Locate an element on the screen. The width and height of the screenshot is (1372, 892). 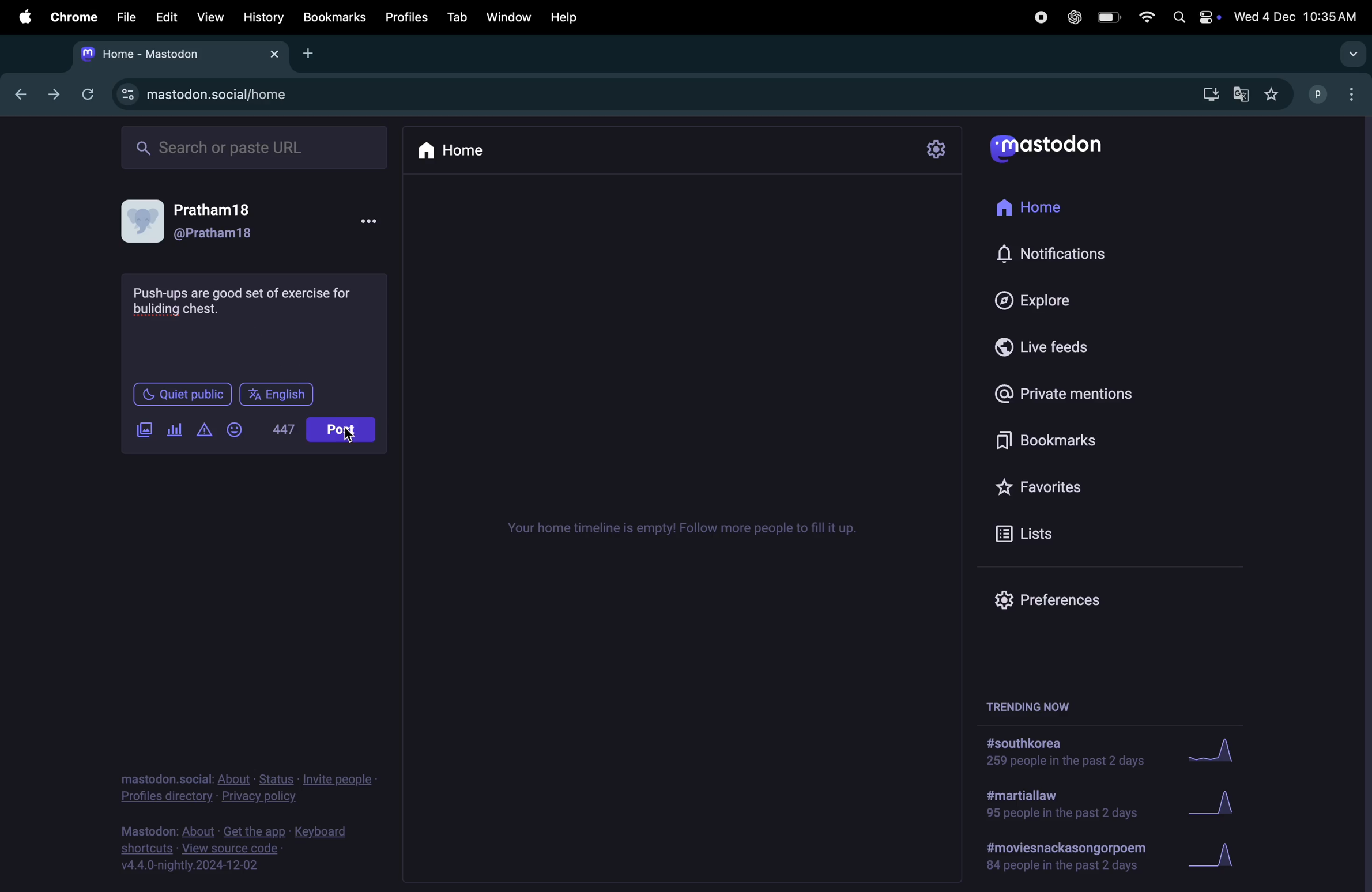
View is located at coordinates (209, 16).